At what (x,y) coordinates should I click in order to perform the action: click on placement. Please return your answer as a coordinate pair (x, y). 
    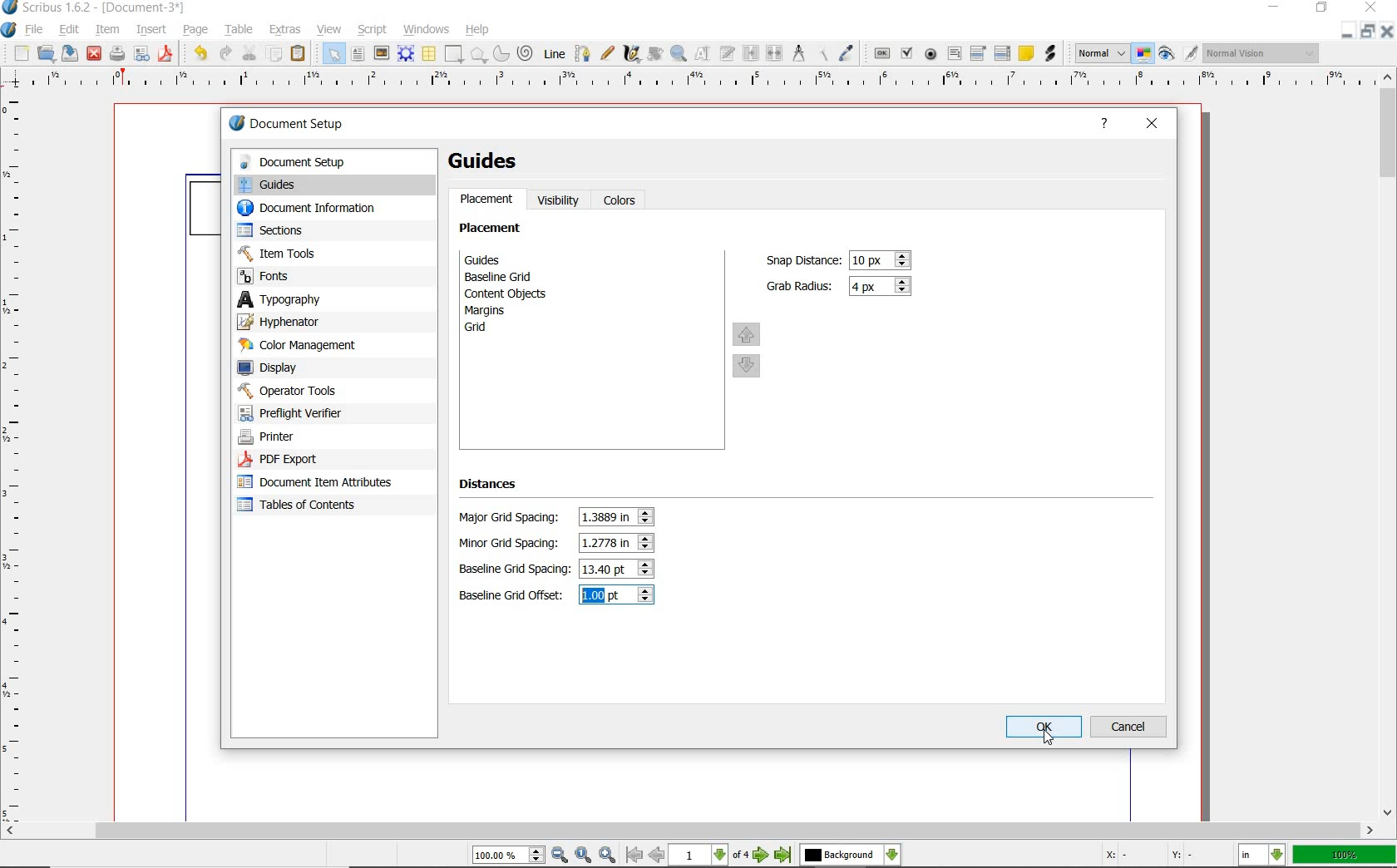
    Looking at the image, I should click on (487, 201).